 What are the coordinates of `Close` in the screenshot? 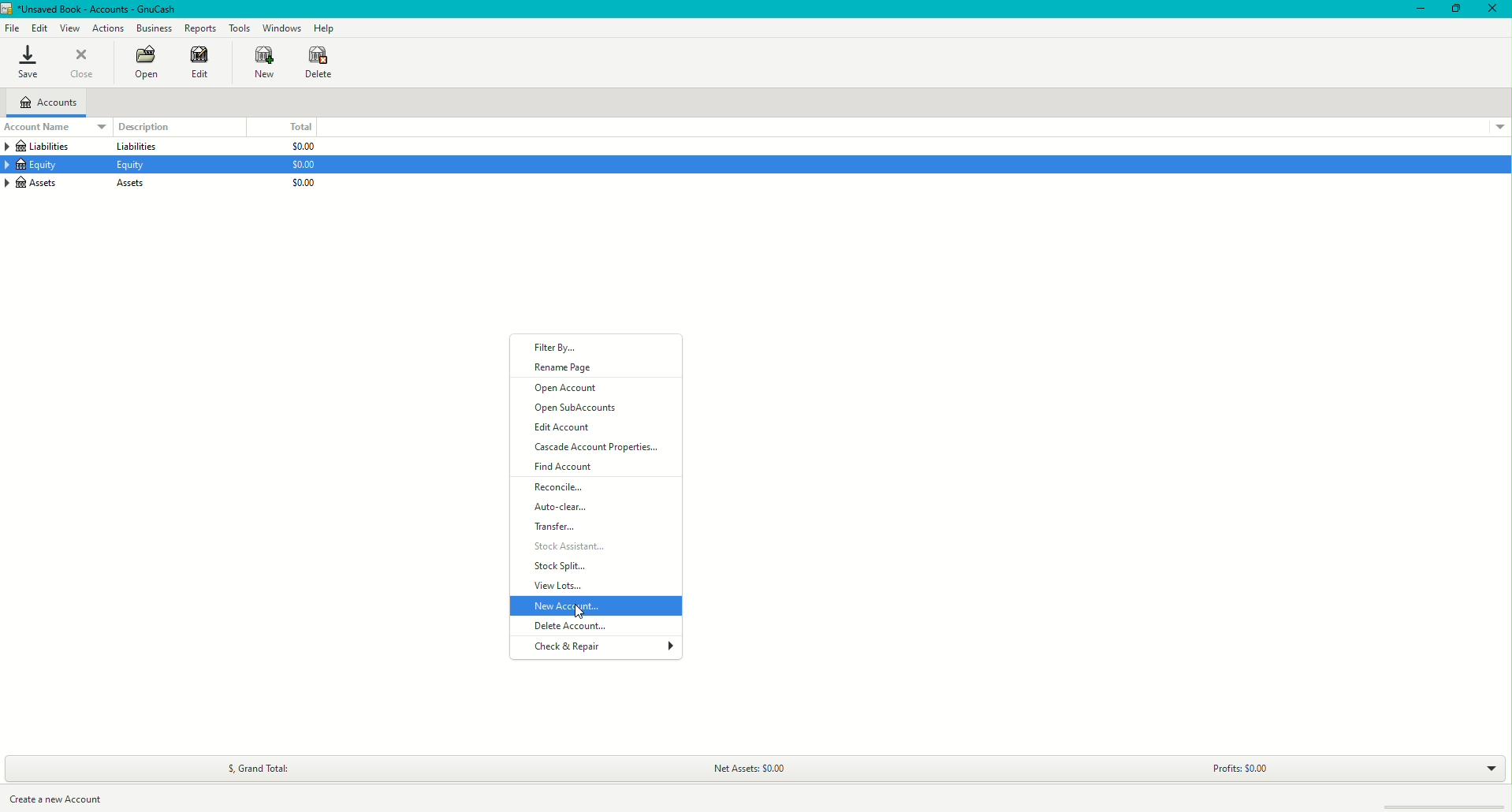 It's located at (1494, 10).